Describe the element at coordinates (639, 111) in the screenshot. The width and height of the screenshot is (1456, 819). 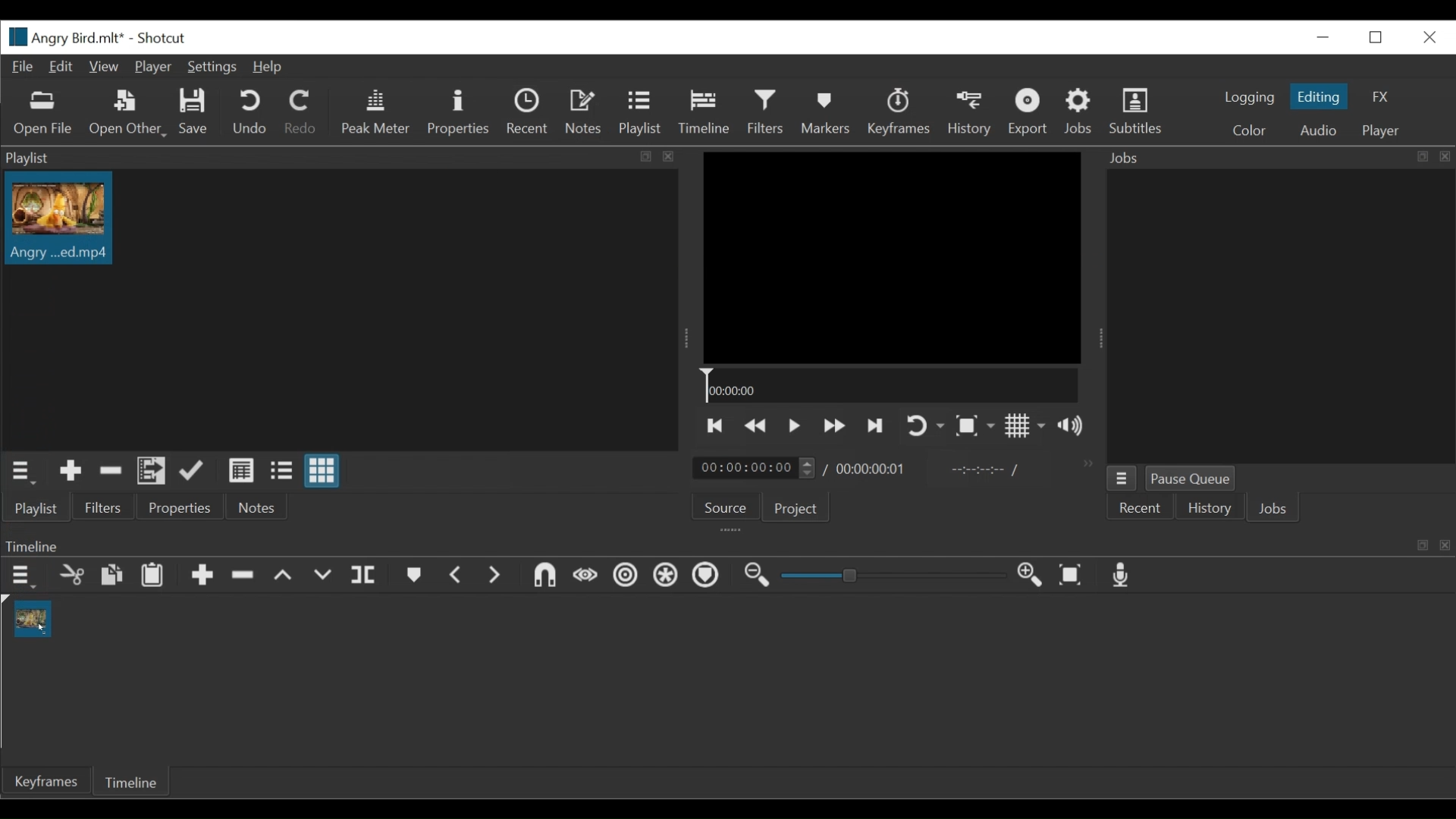
I see `Playlist` at that location.